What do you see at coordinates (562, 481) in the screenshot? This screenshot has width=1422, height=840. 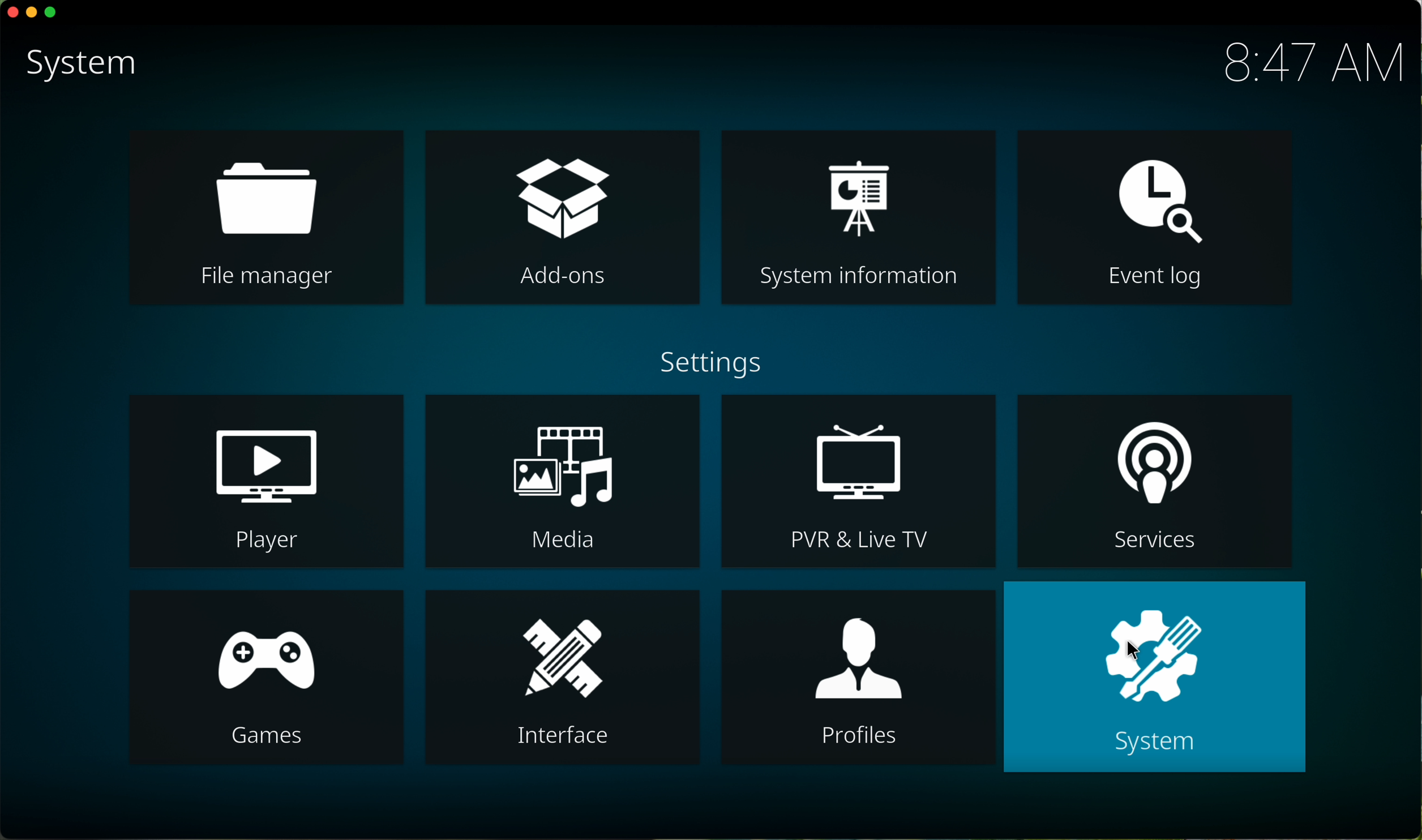 I see `media` at bounding box center [562, 481].